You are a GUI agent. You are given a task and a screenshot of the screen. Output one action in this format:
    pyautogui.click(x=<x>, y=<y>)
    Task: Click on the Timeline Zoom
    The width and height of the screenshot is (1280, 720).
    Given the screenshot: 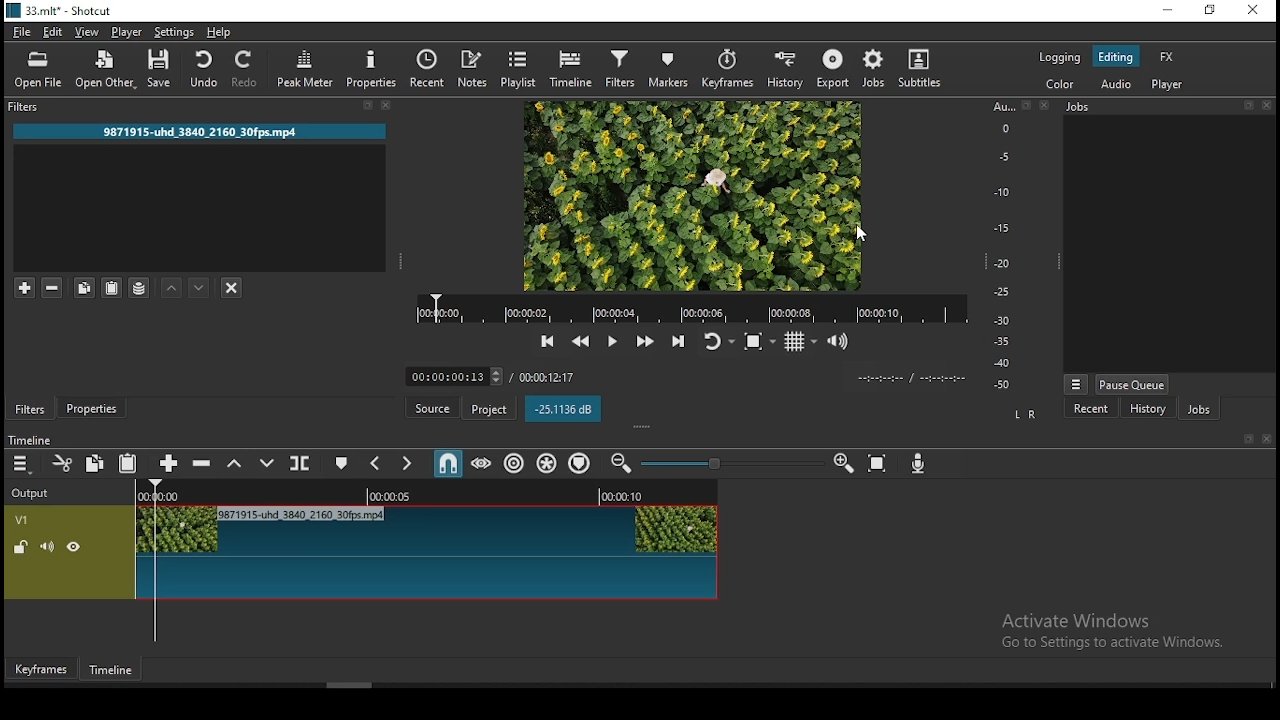 What is the action you would take?
    pyautogui.click(x=732, y=464)
    